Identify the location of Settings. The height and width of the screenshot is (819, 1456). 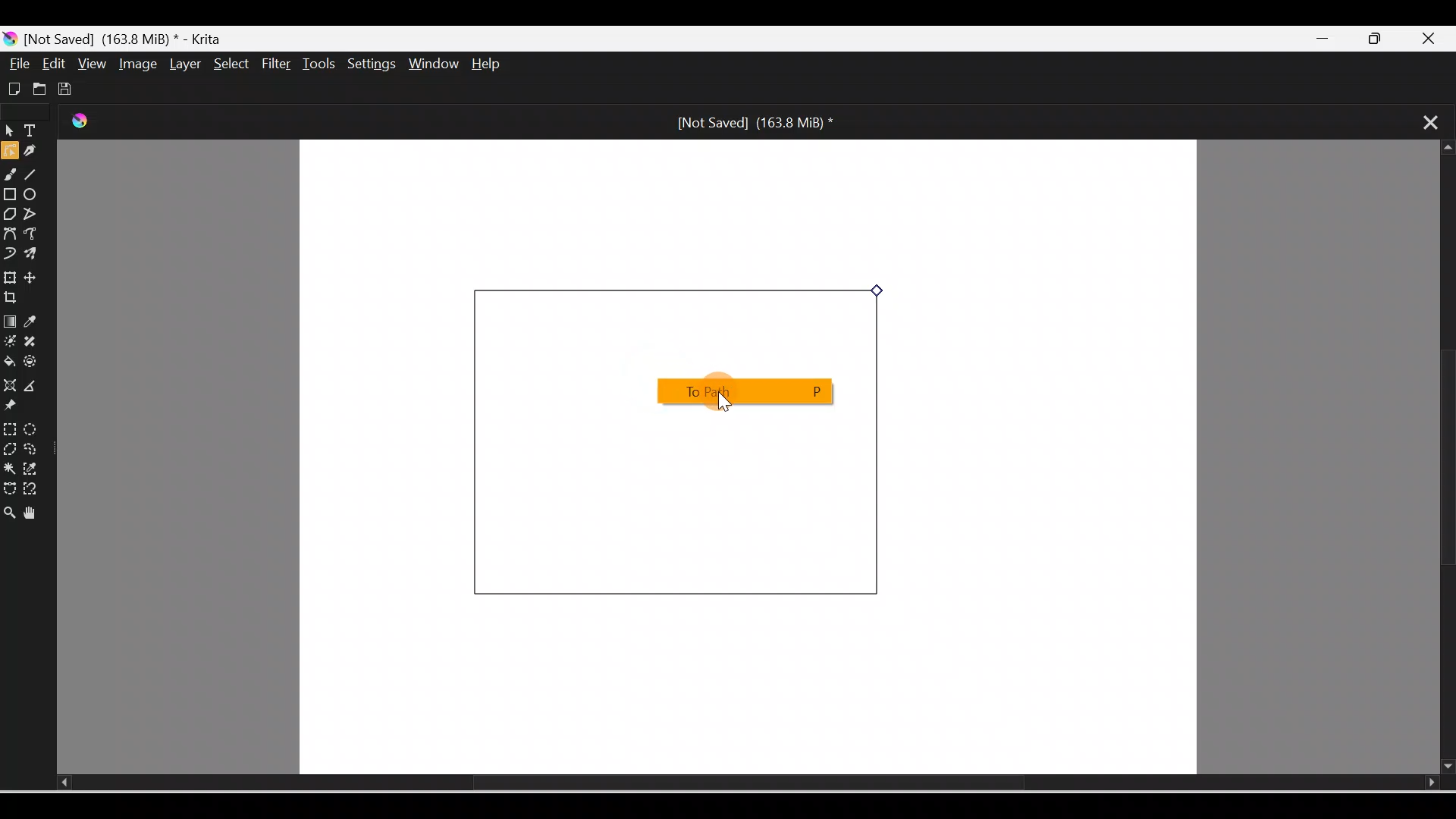
(373, 65).